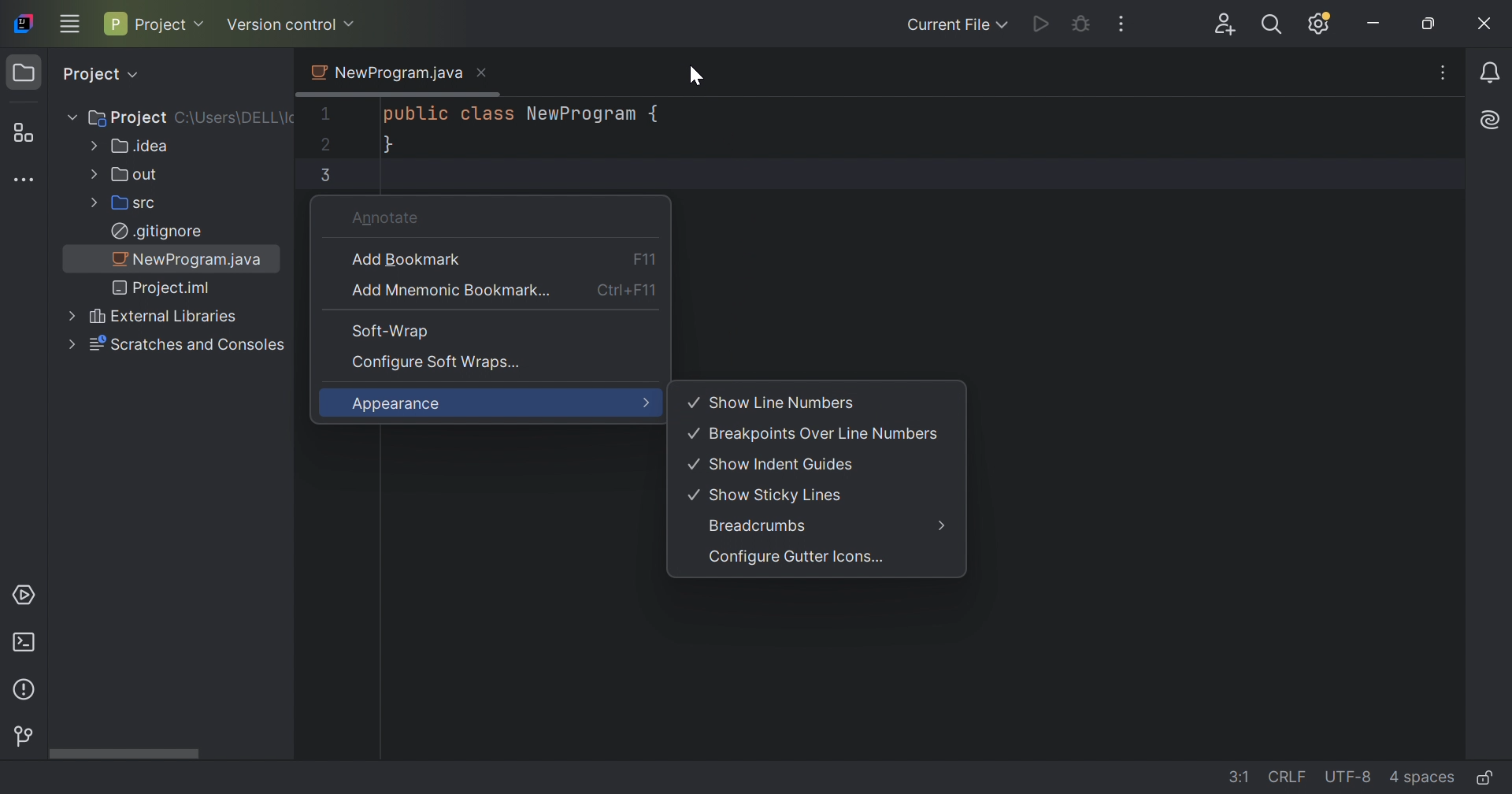 The width and height of the screenshot is (1512, 794). I want to click on Drop Down, so click(91, 146).